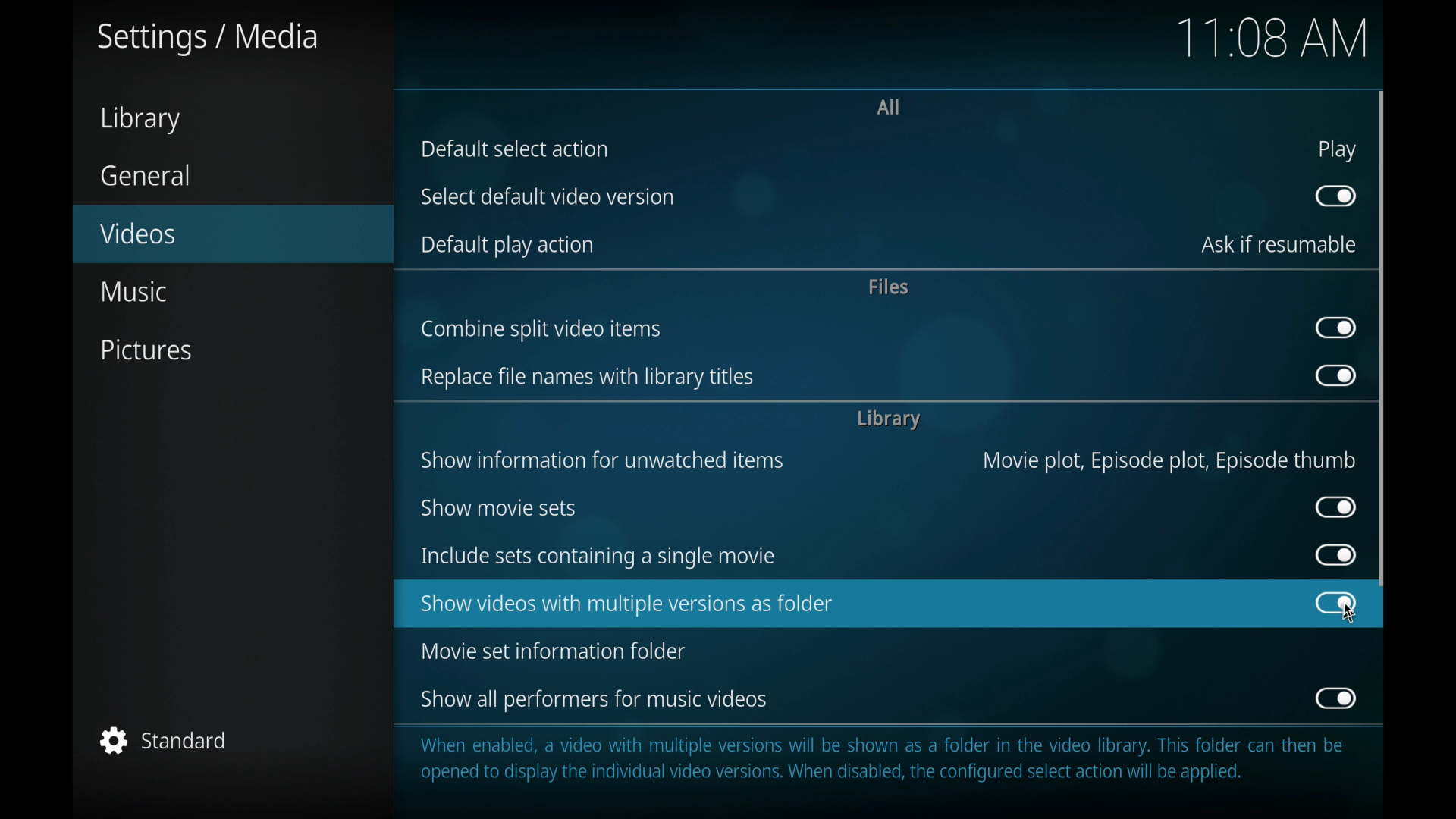 This screenshot has width=1456, height=819. What do you see at coordinates (595, 698) in the screenshot?
I see `show all performers for music videos` at bounding box center [595, 698].